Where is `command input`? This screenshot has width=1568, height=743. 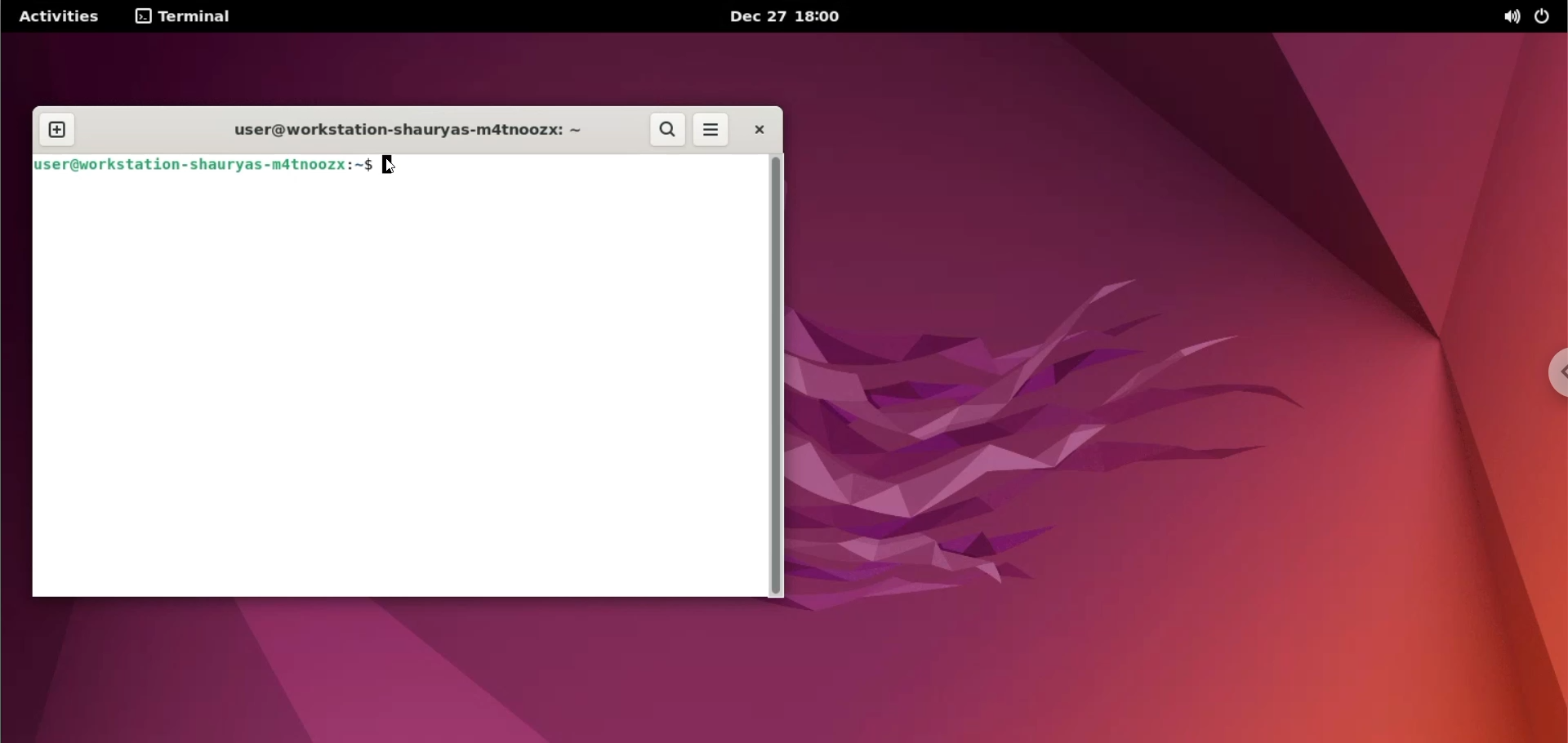
command input is located at coordinates (570, 165).